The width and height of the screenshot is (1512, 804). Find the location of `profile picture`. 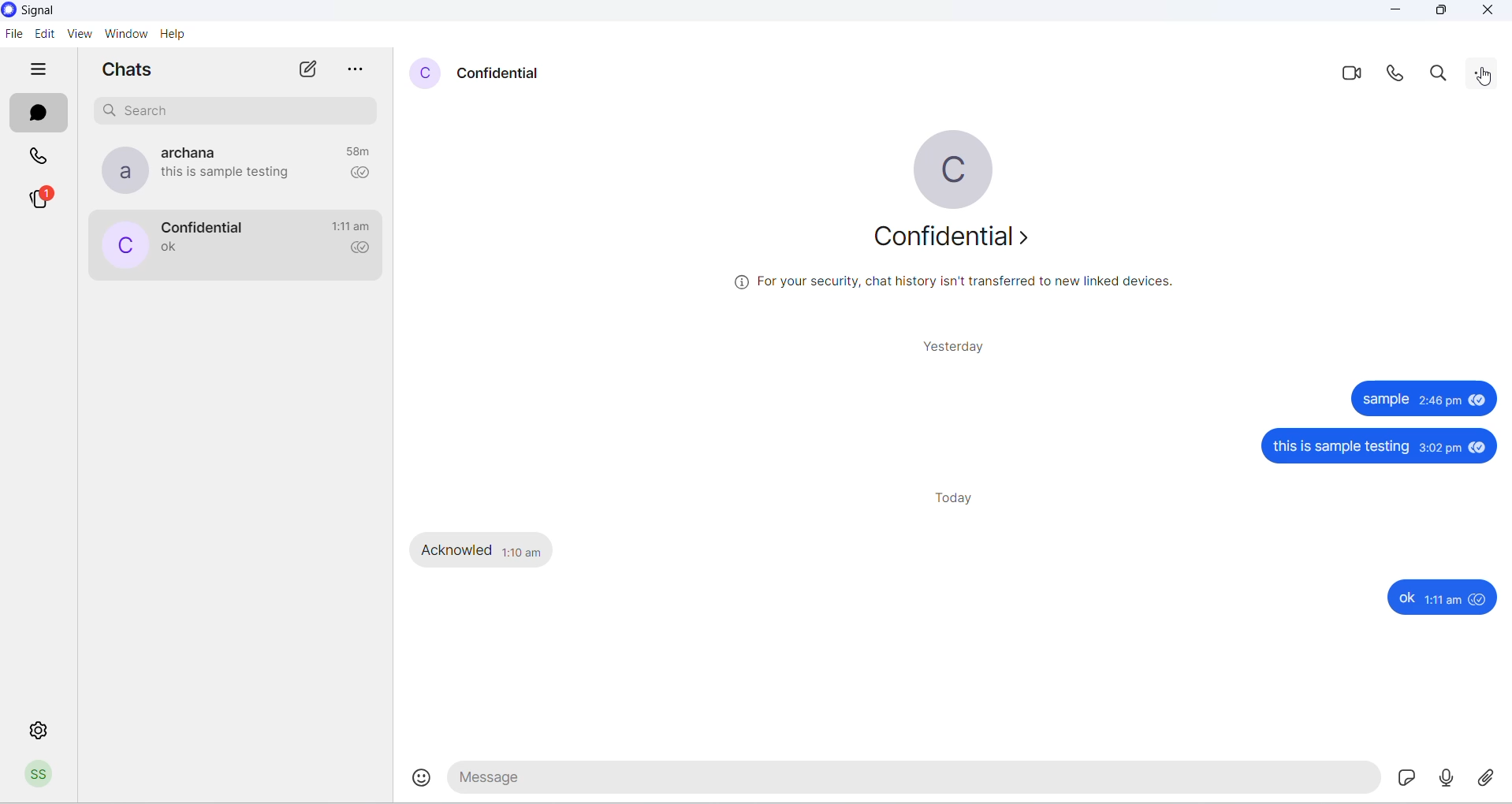

profile picture is located at coordinates (122, 244).